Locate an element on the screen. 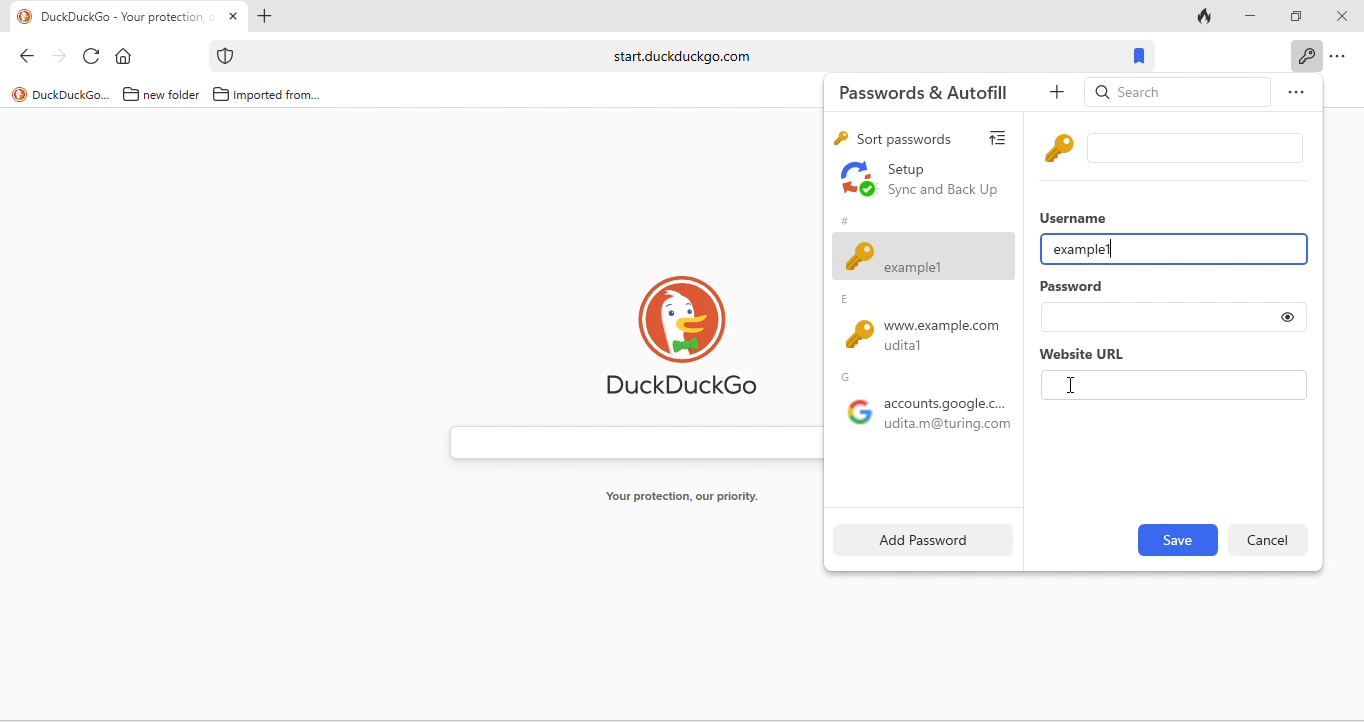  edit is located at coordinates (1177, 540).